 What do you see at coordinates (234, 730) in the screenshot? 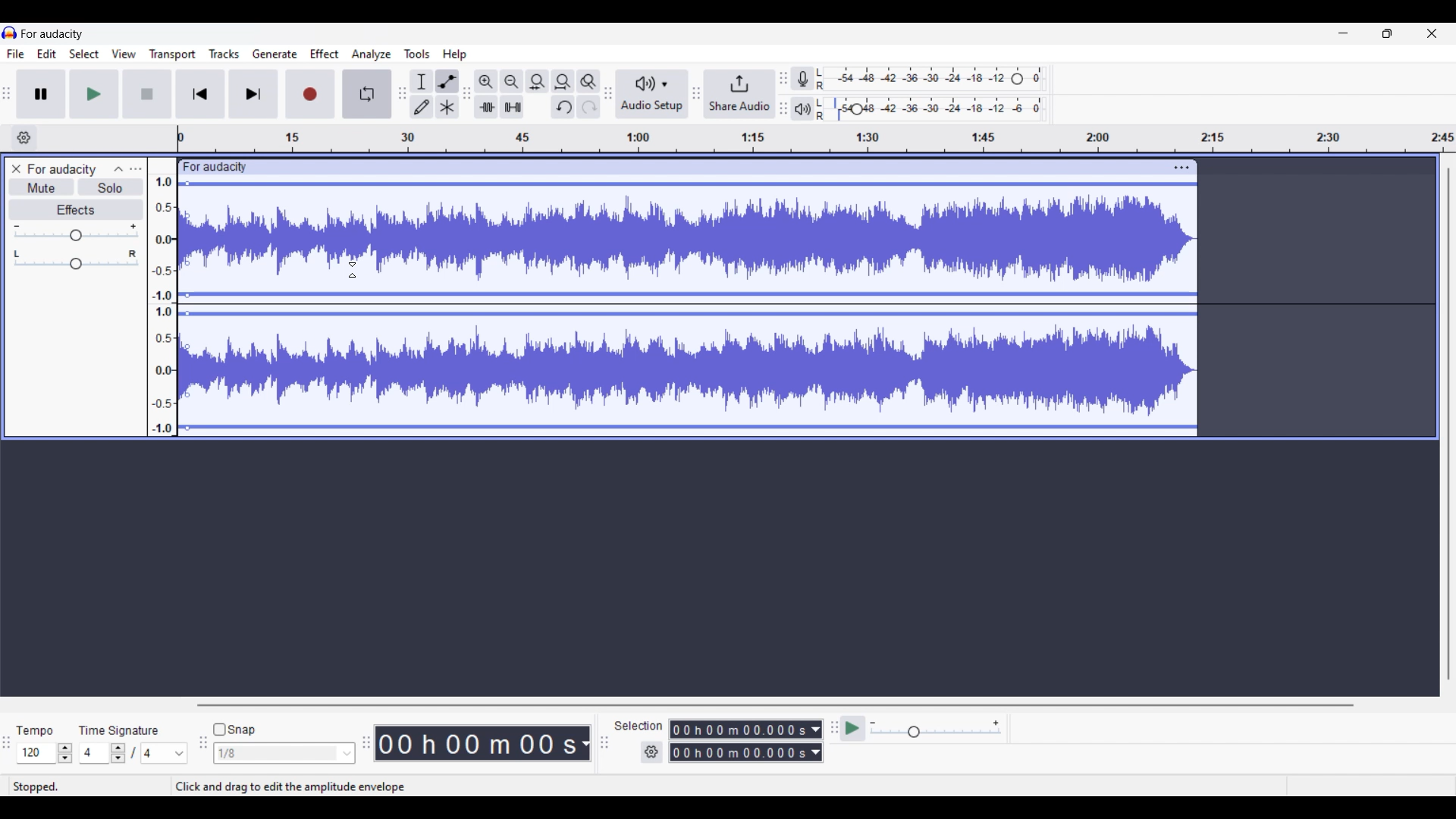
I see `Snap toggle` at bounding box center [234, 730].